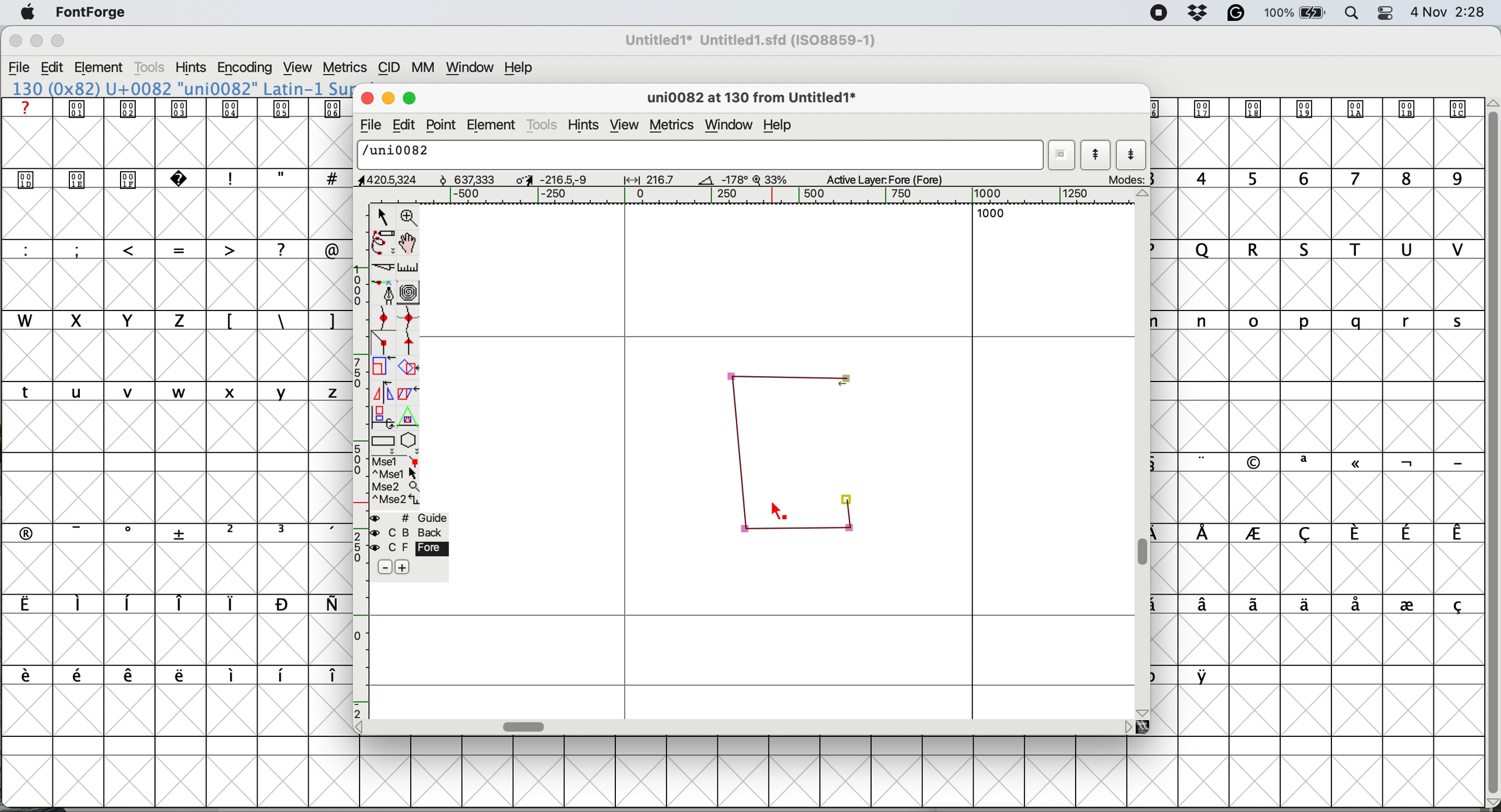  I want to click on minimise, so click(386, 97).